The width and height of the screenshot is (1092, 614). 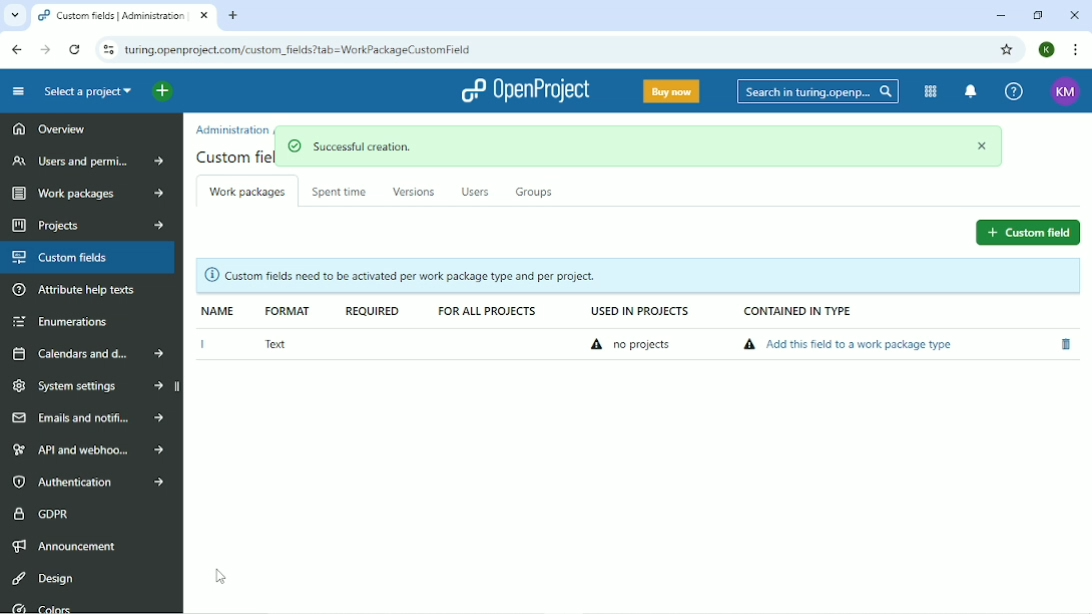 I want to click on Format, so click(x=287, y=311).